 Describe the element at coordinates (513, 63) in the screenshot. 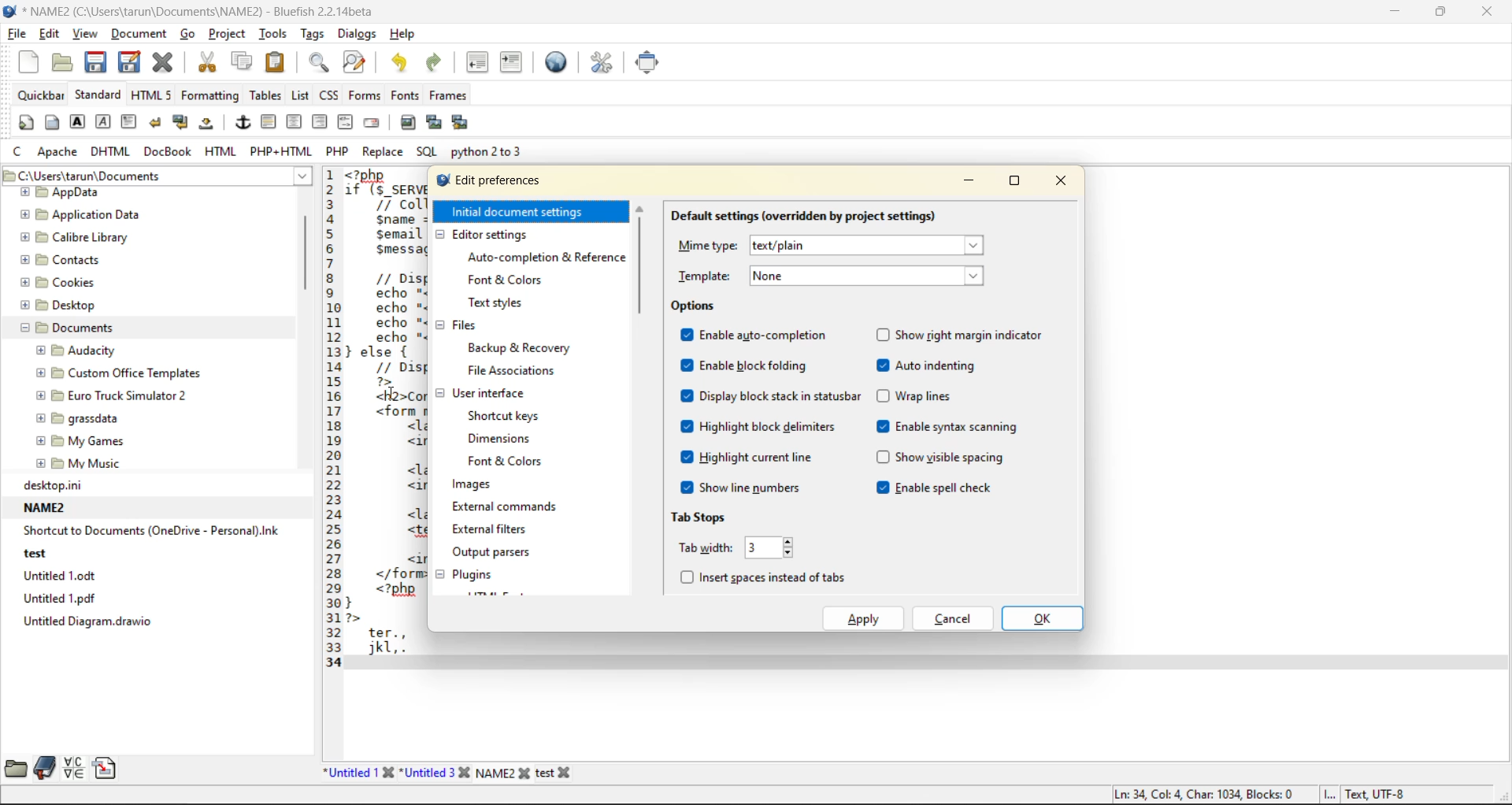

I see `indent` at that location.